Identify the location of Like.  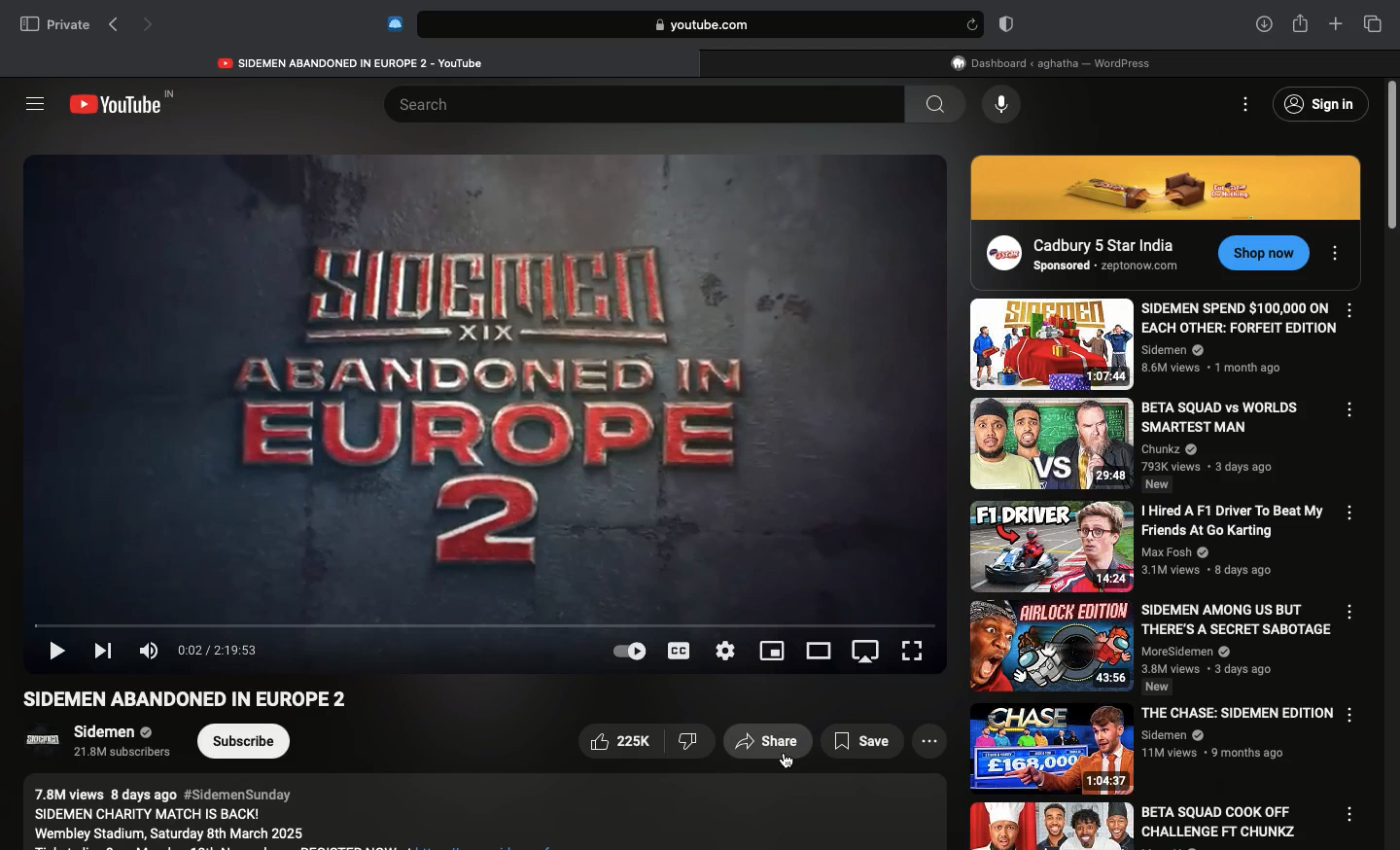
(645, 743).